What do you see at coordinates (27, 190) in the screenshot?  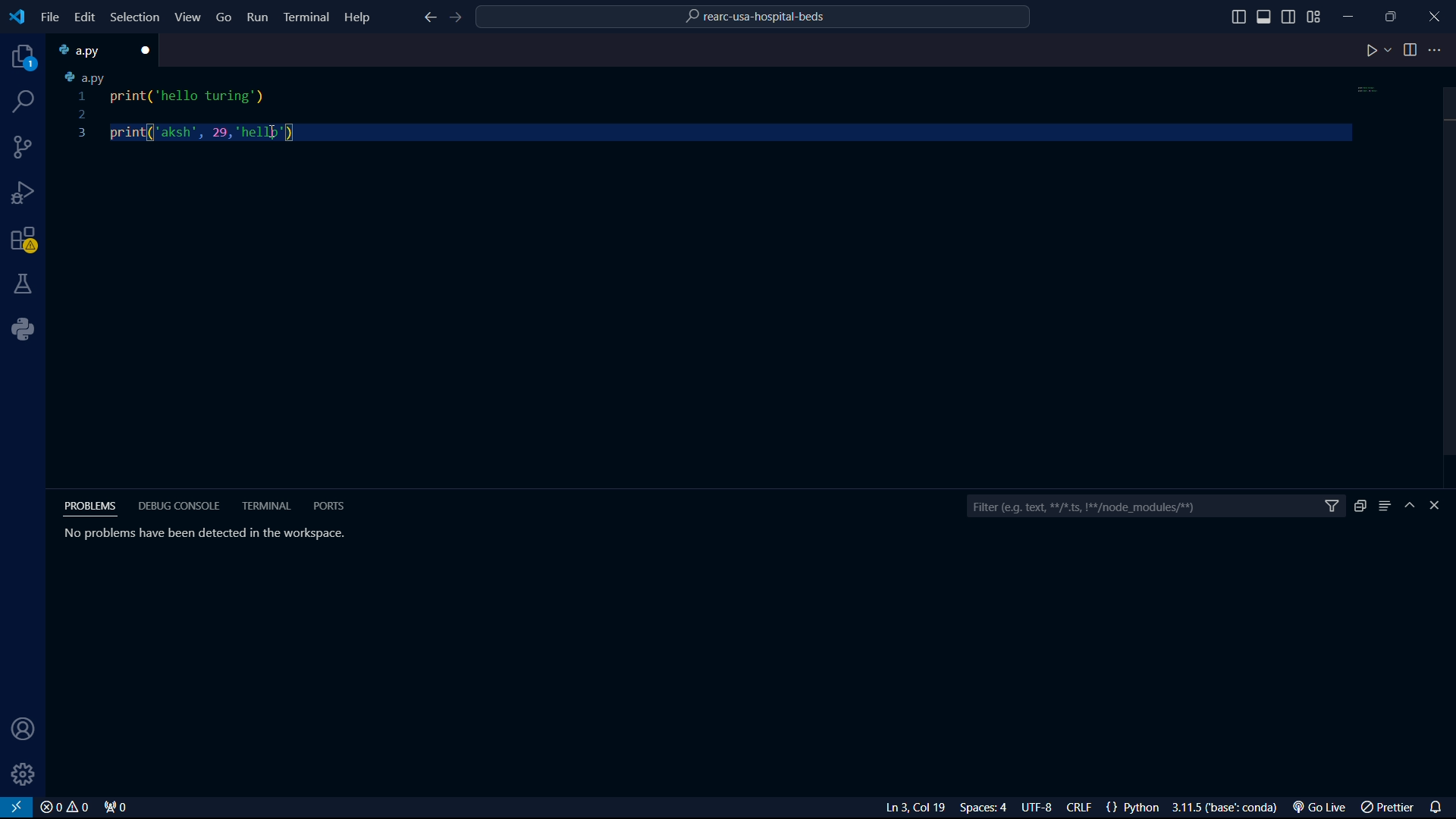 I see `bug` at bounding box center [27, 190].